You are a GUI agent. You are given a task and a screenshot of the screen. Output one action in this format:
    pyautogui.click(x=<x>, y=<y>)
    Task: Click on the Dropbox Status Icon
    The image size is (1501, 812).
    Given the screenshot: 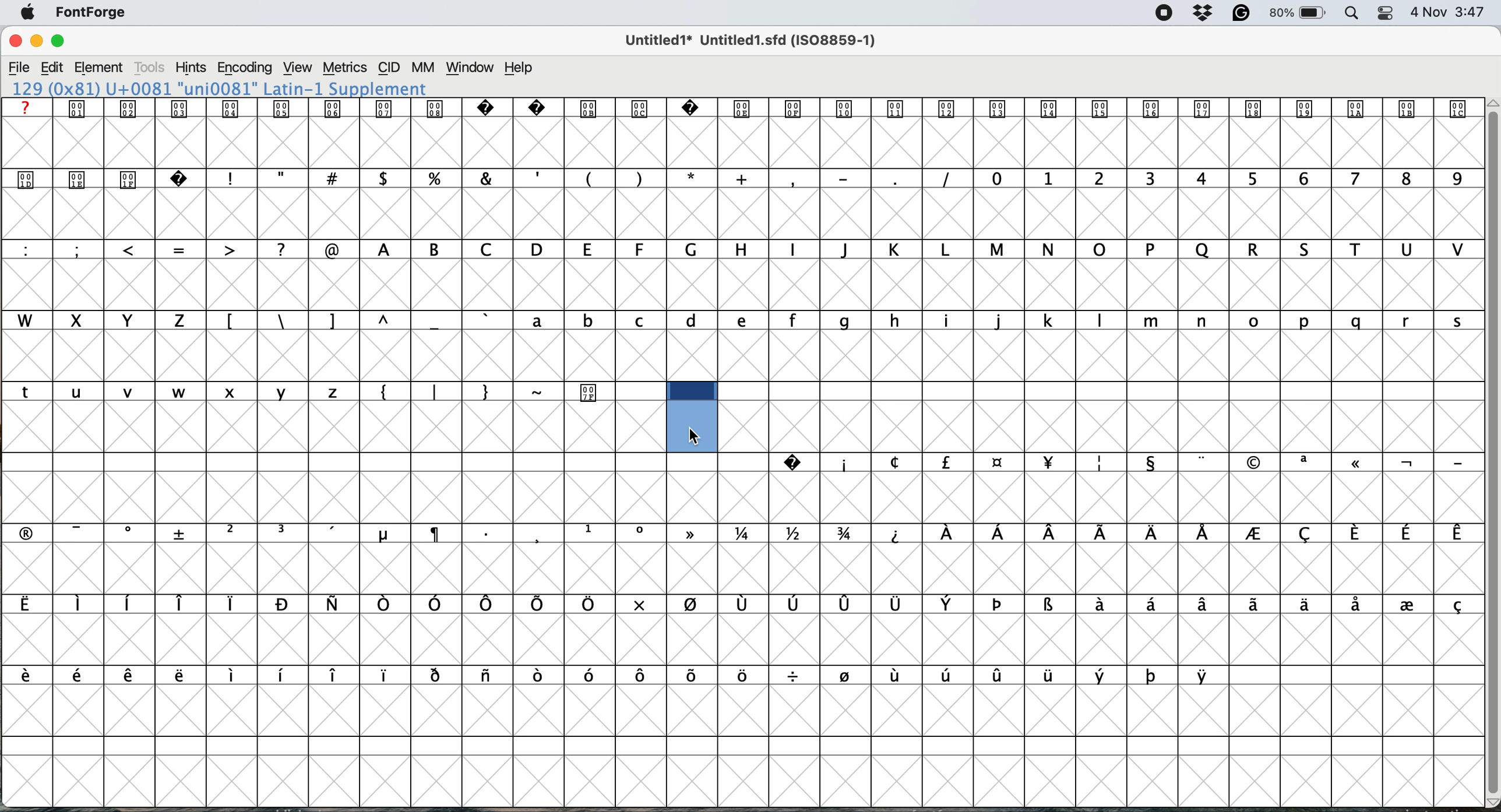 What is the action you would take?
    pyautogui.click(x=1204, y=13)
    